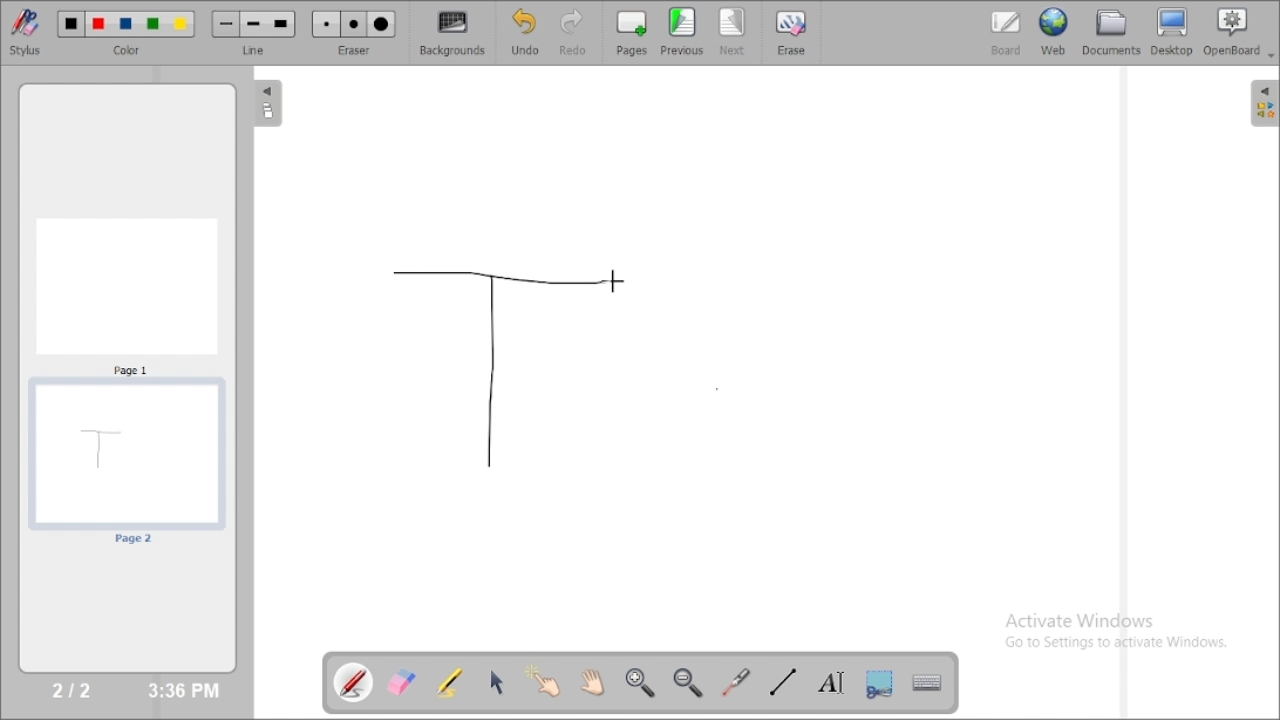  What do you see at coordinates (591, 681) in the screenshot?
I see `scroll page` at bounding box center [591, 681].